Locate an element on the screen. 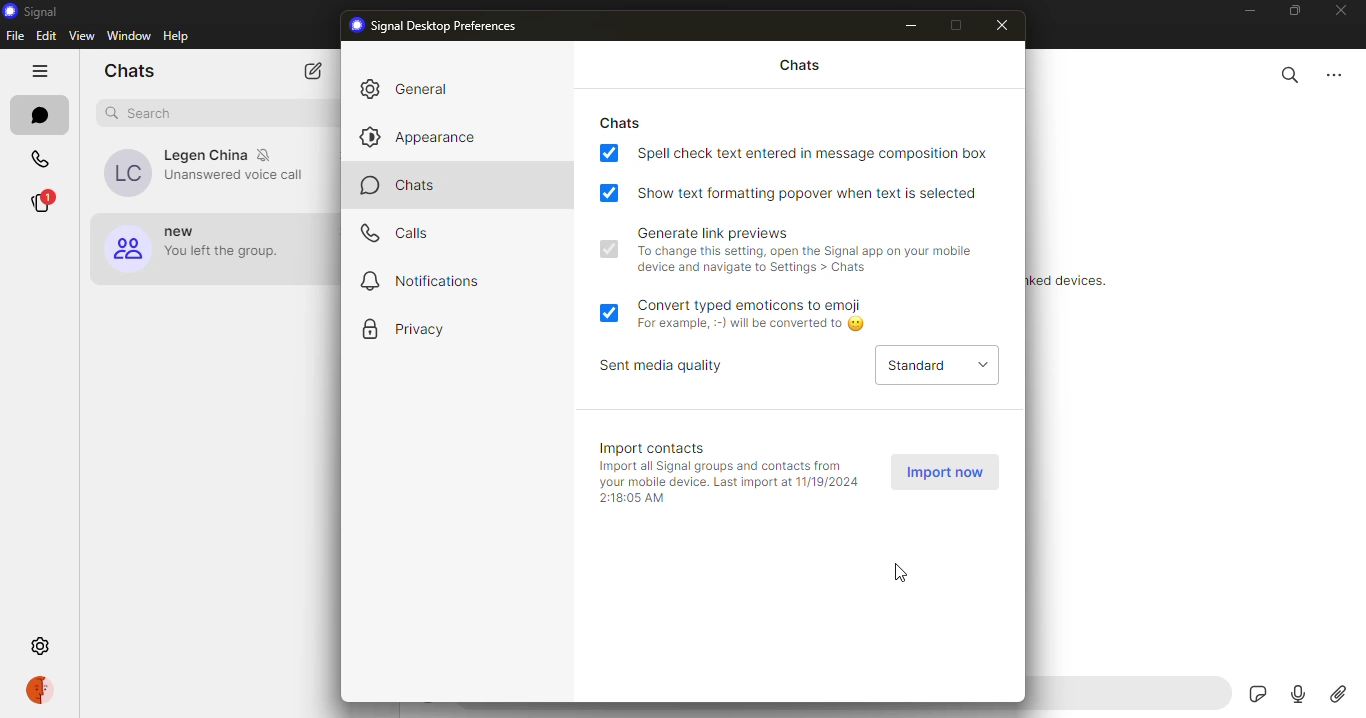  chats is located at coordinates (129, 70).